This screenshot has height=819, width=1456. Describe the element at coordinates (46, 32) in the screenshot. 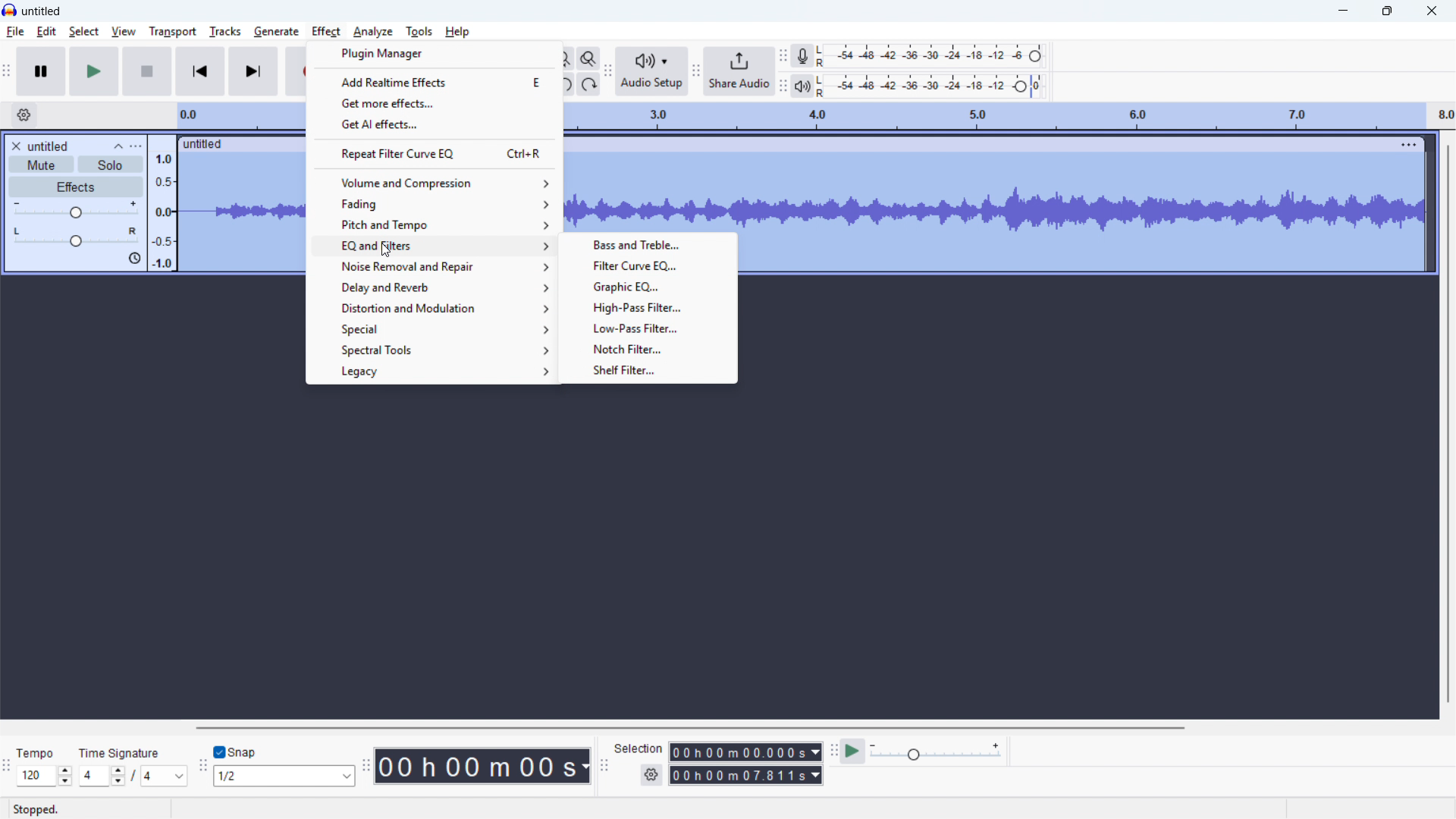

I see `edit` at that location.